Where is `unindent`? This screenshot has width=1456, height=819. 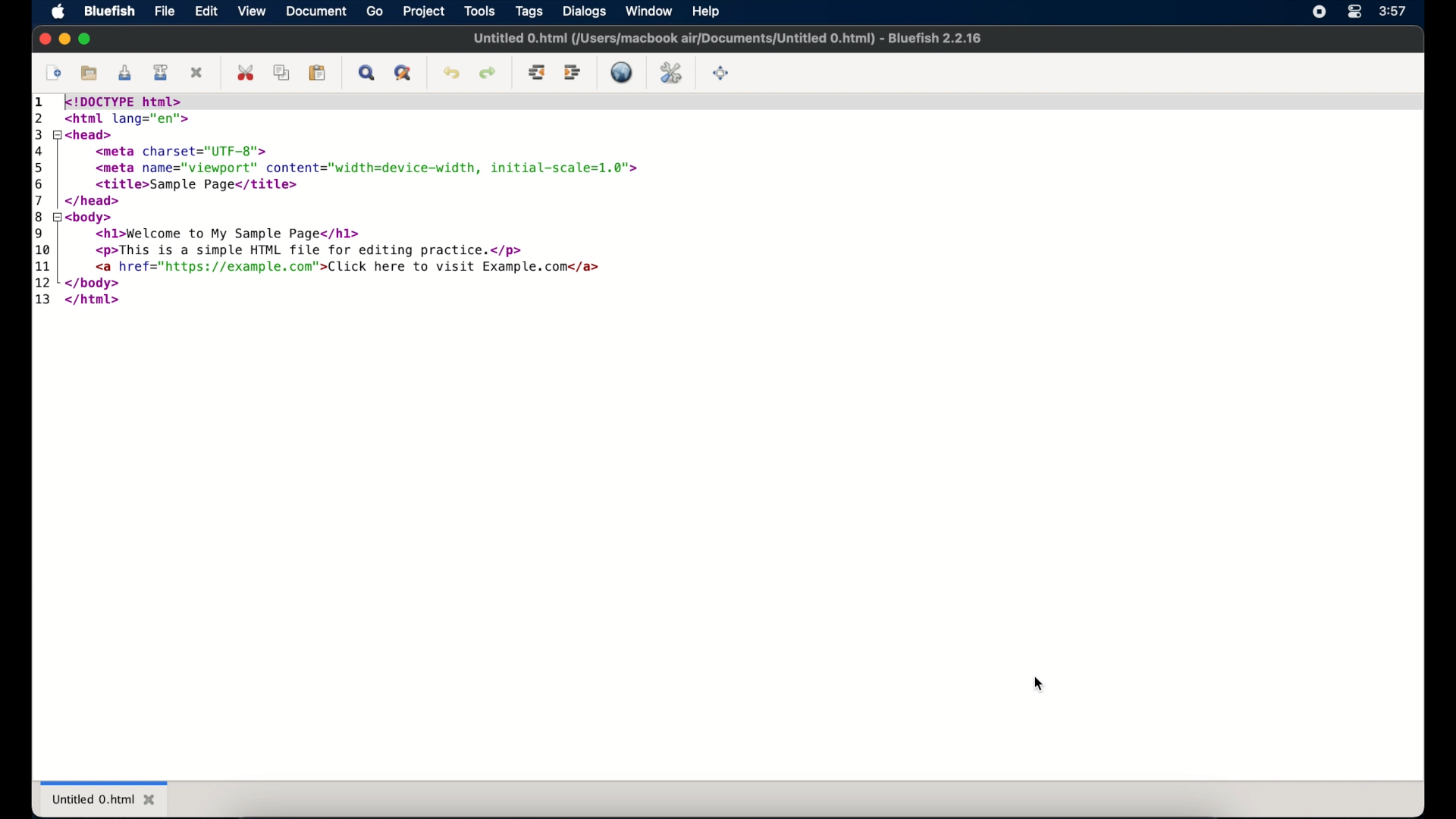
unindent is located at coordinates (537, 74).